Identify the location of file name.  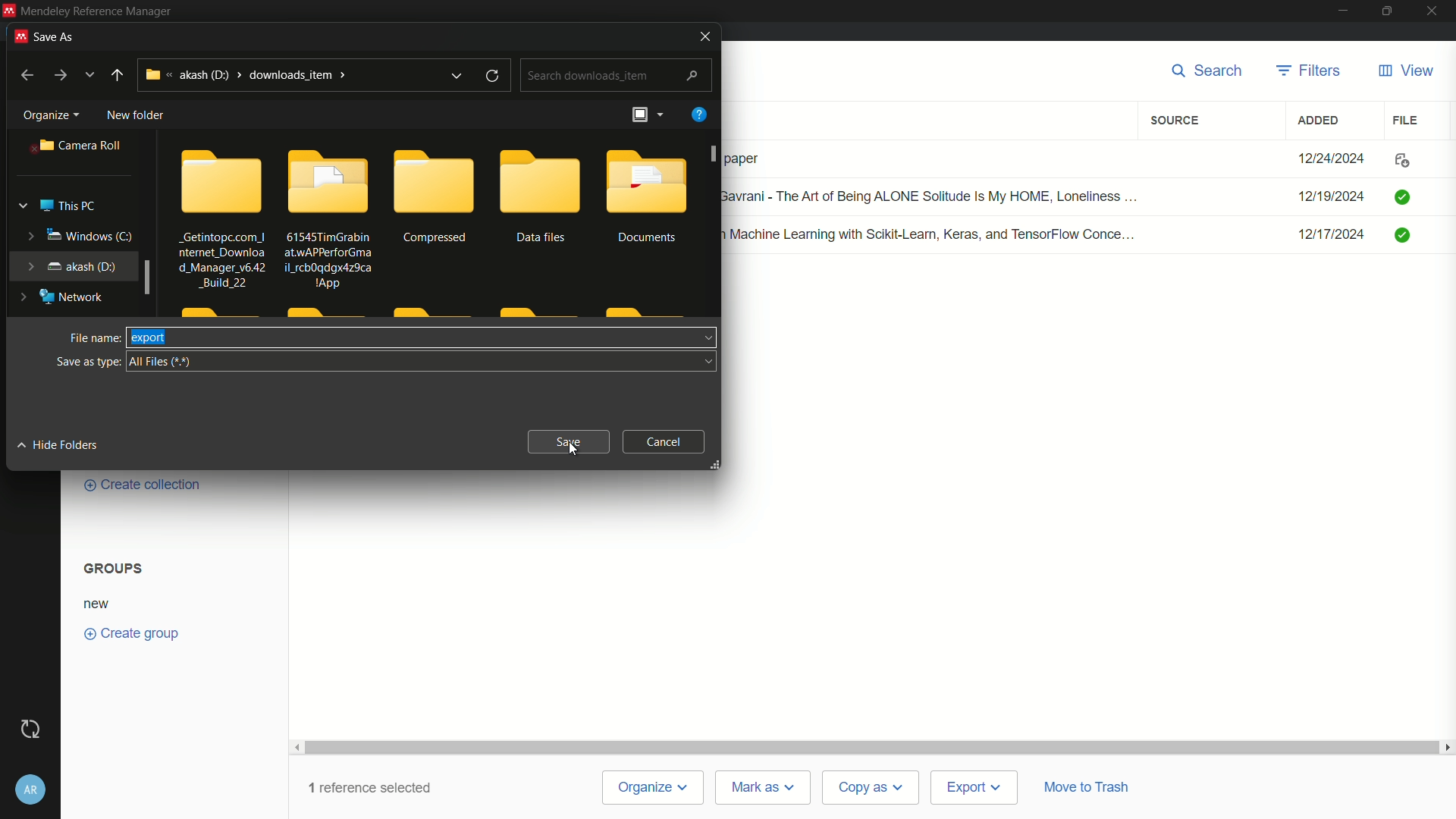
(92, 339).